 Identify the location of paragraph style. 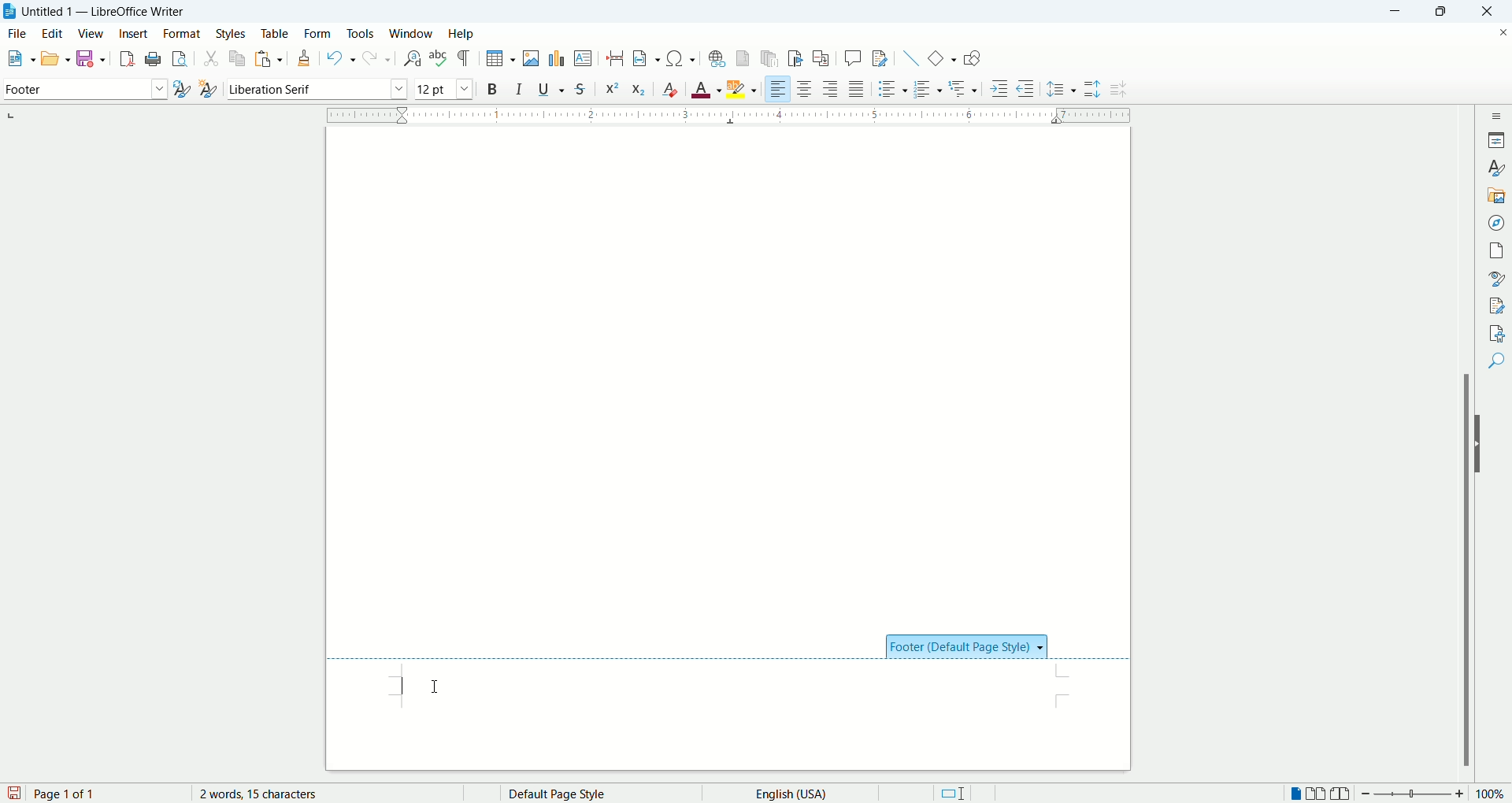
(82, 89).